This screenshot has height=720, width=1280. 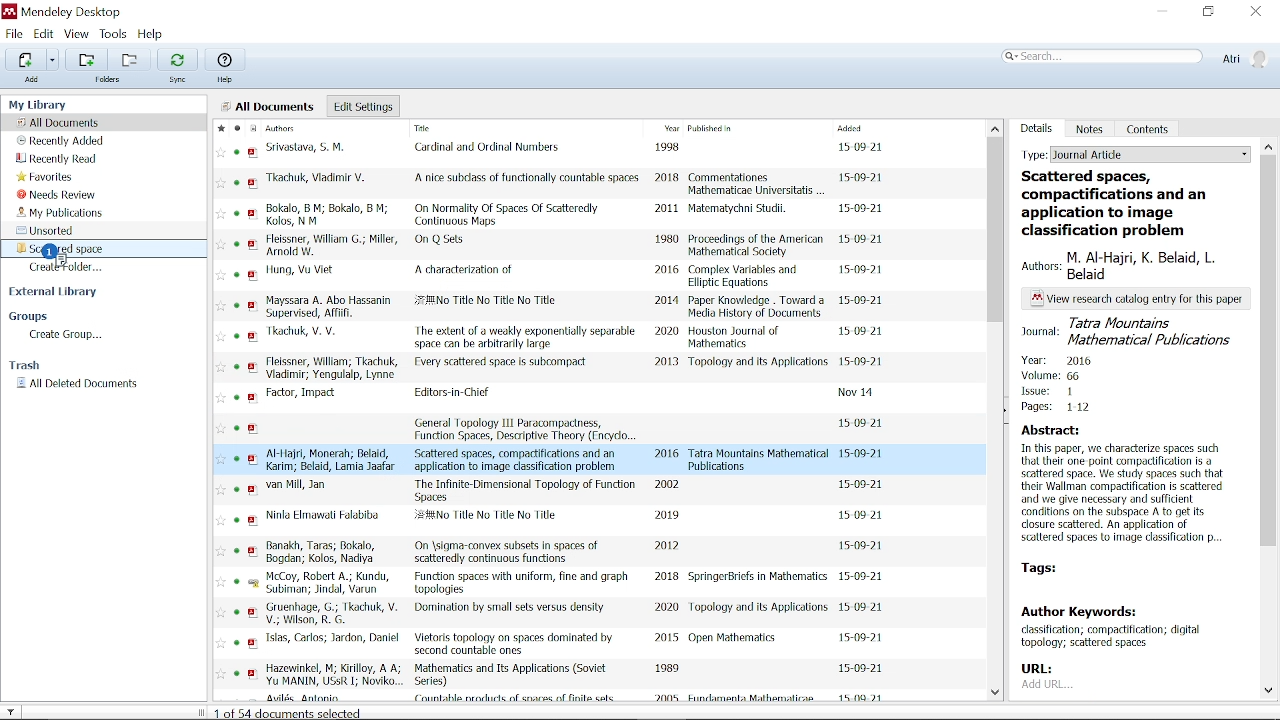 What do you see at coordinates (114, 34) in the screenshot?
I see `Tools` at bounding box center [114, 34].